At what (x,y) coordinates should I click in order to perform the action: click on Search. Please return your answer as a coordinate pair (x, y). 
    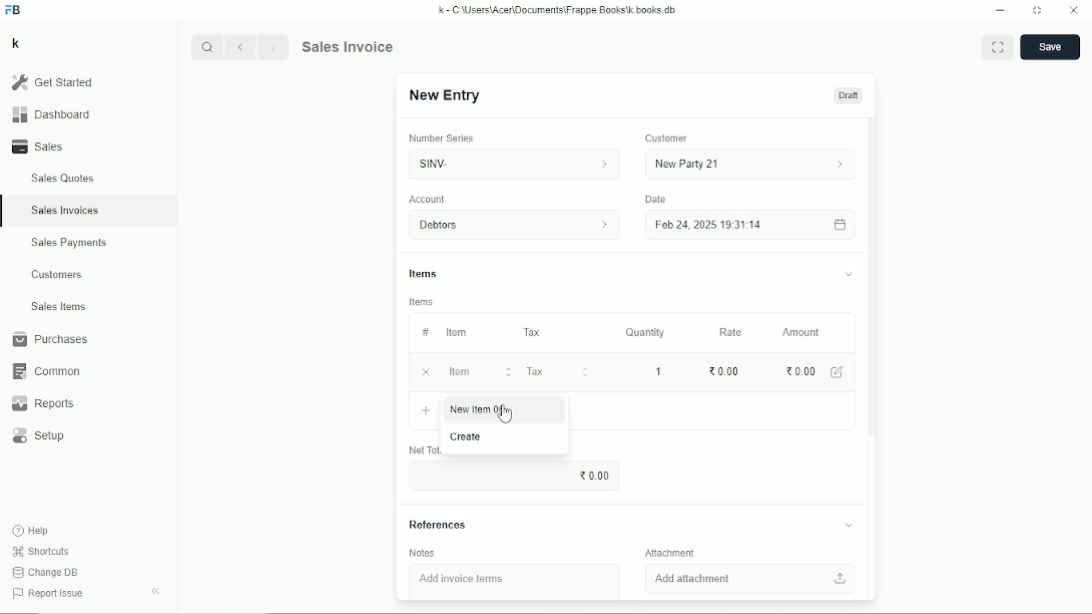
    Looking at the image, I should click on (208, 47).